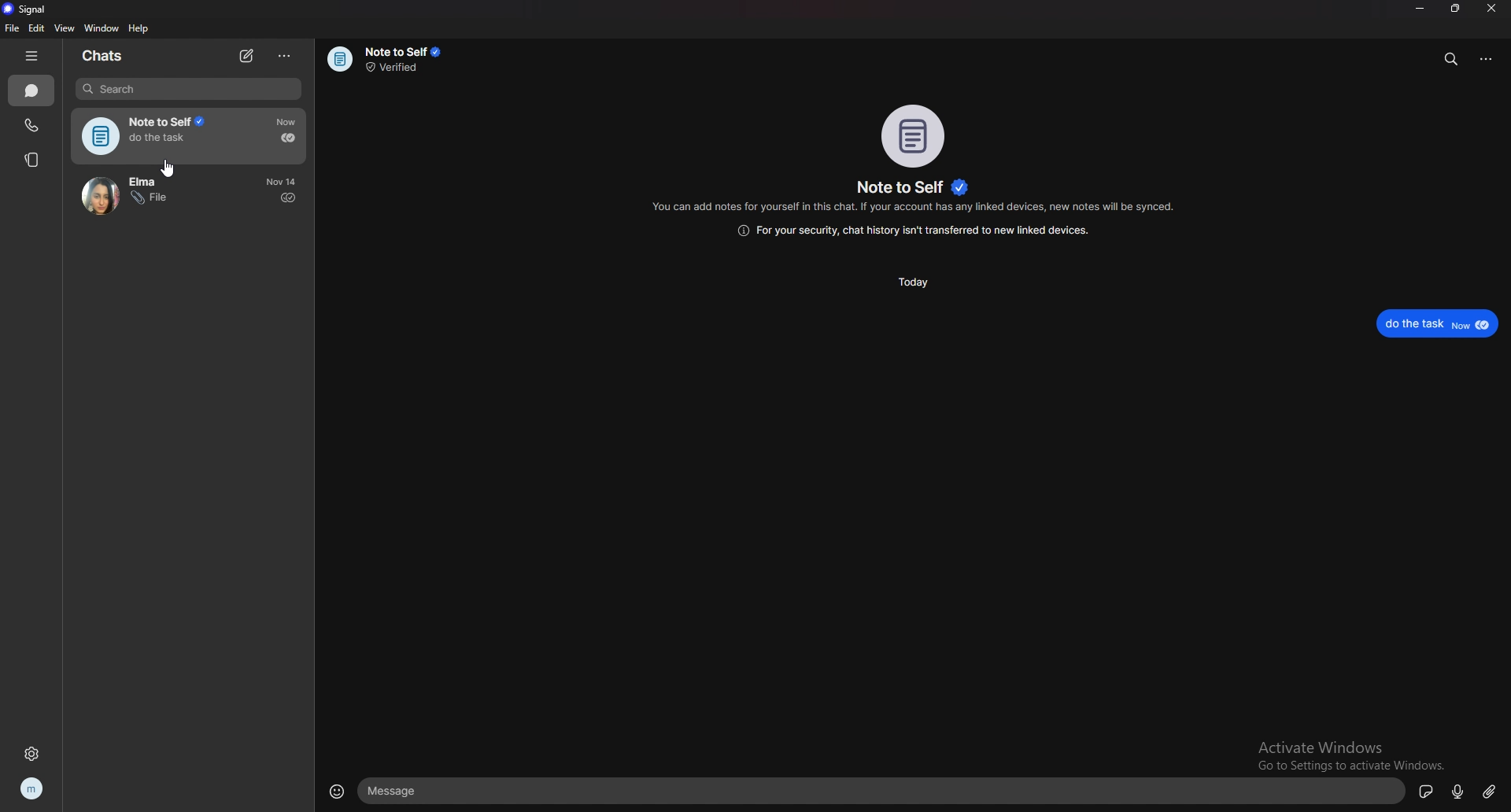 This screenshot has width=1511, height=812. What do you see at coordinates (31, 753) in the screenshot?
I see `settings` at bounding box center [31, 753].